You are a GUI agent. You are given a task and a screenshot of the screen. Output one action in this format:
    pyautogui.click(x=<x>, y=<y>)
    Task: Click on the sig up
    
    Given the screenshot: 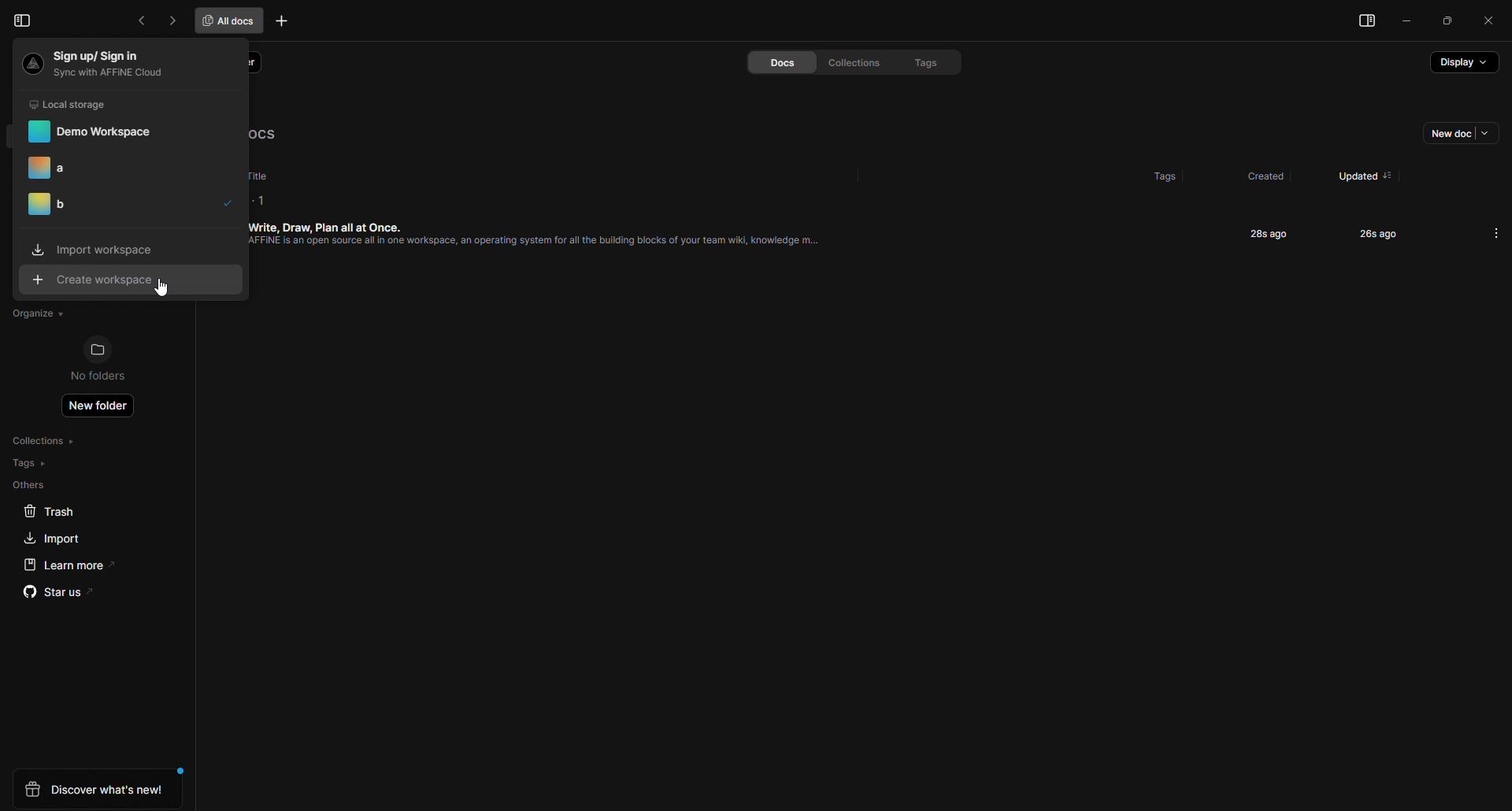 What is the action you would take?
    pyautogui.click(x=102, y=63)
    